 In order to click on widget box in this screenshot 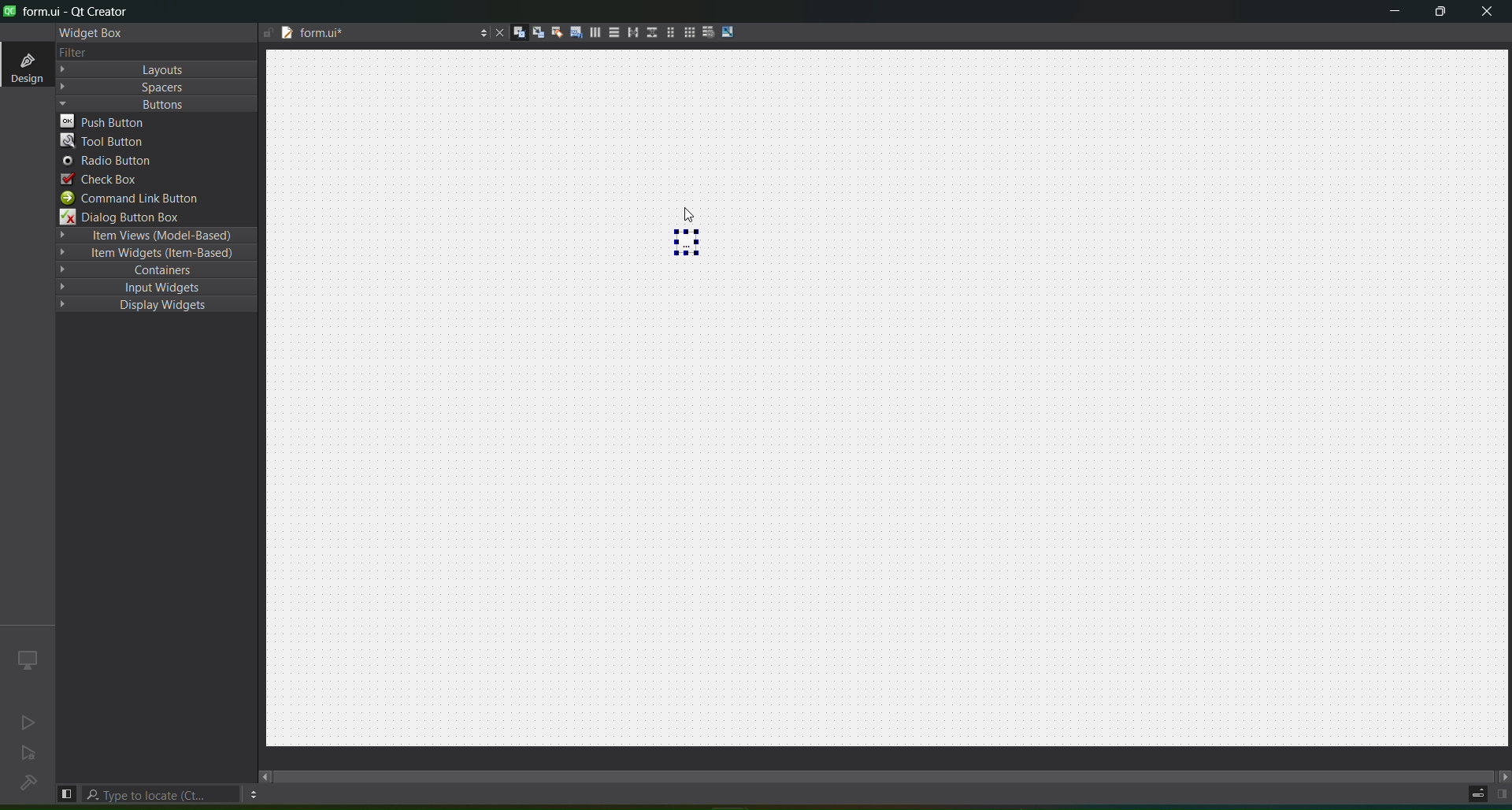, I will do `click(95, 35)`.